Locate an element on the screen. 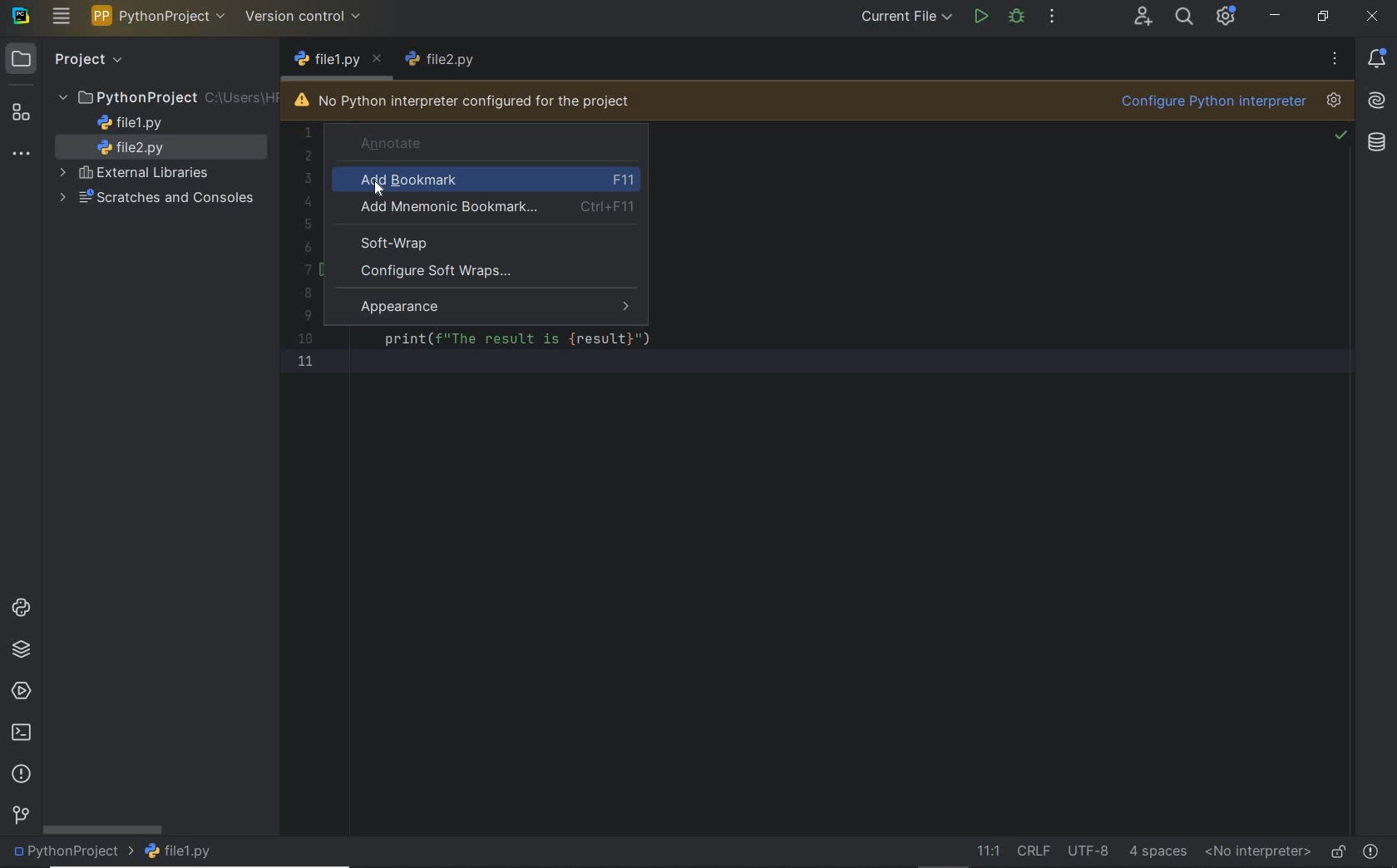 The width and height of the screenshot is (1397, 868). project name is located at coordinates (160, 16).